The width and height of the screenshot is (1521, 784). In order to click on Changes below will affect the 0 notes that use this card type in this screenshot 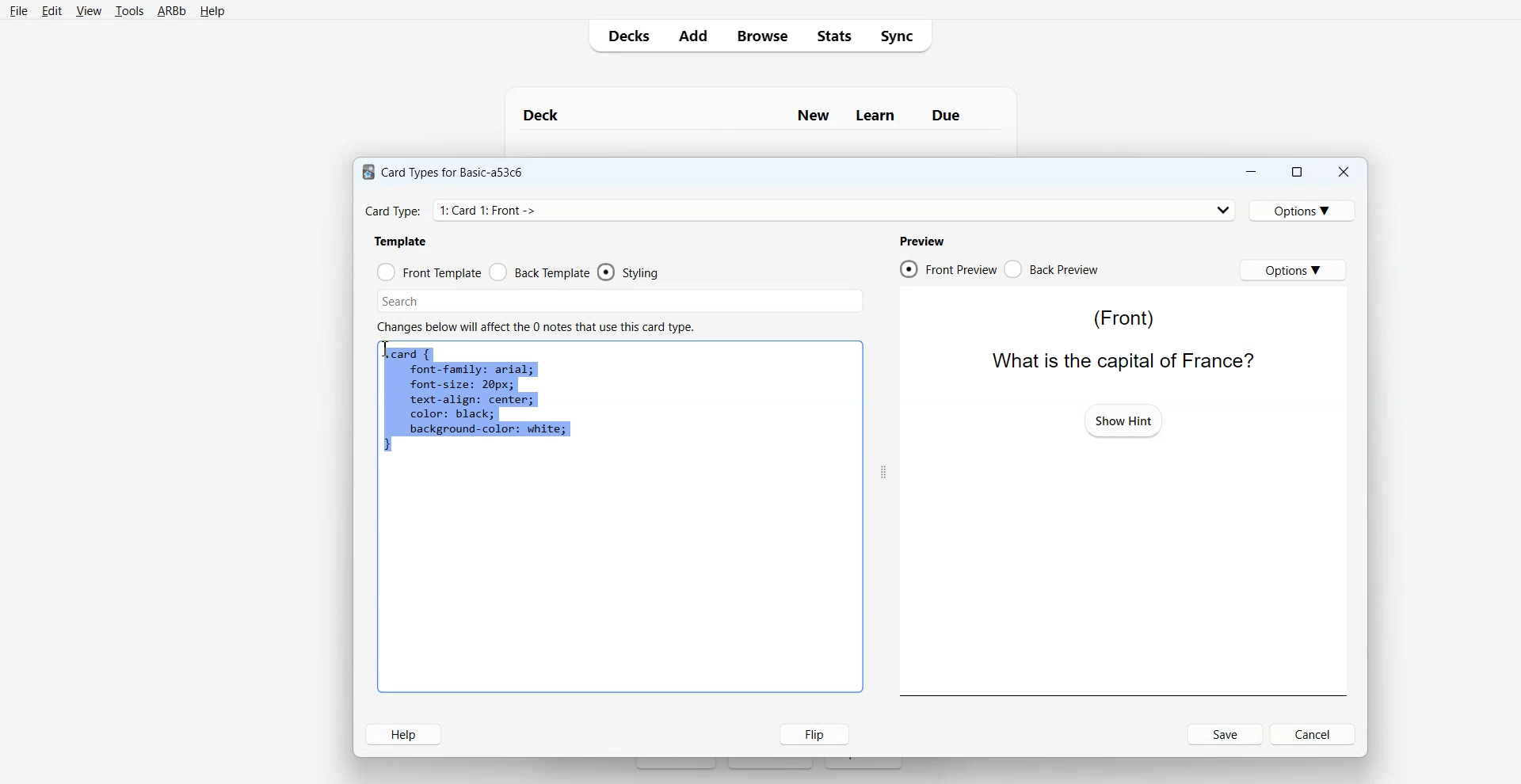, I will do `click(542, 327)`.